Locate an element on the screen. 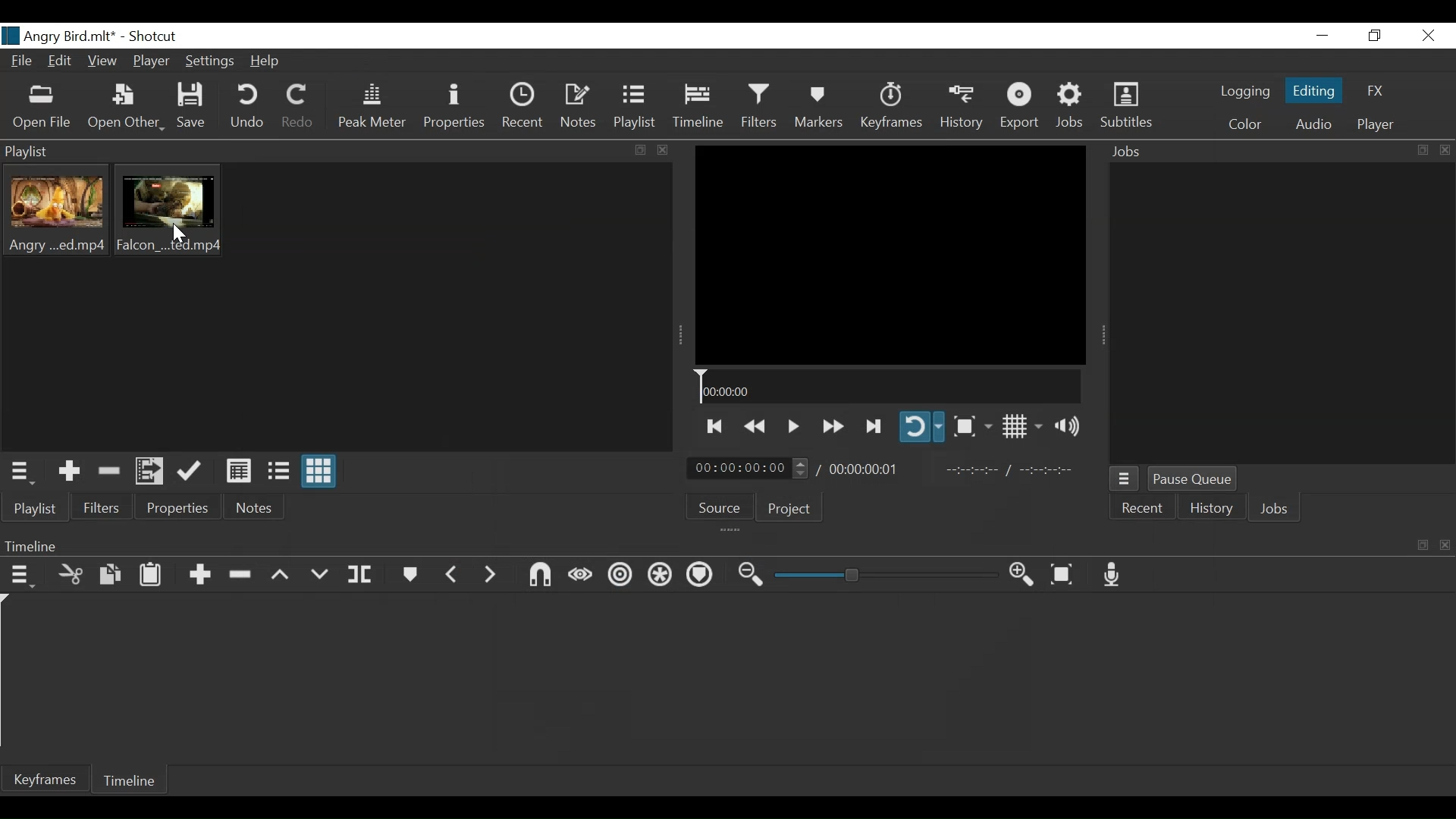 This screenshot has height=819, width=1456. Keyframe is located at coordinates (45, 780).